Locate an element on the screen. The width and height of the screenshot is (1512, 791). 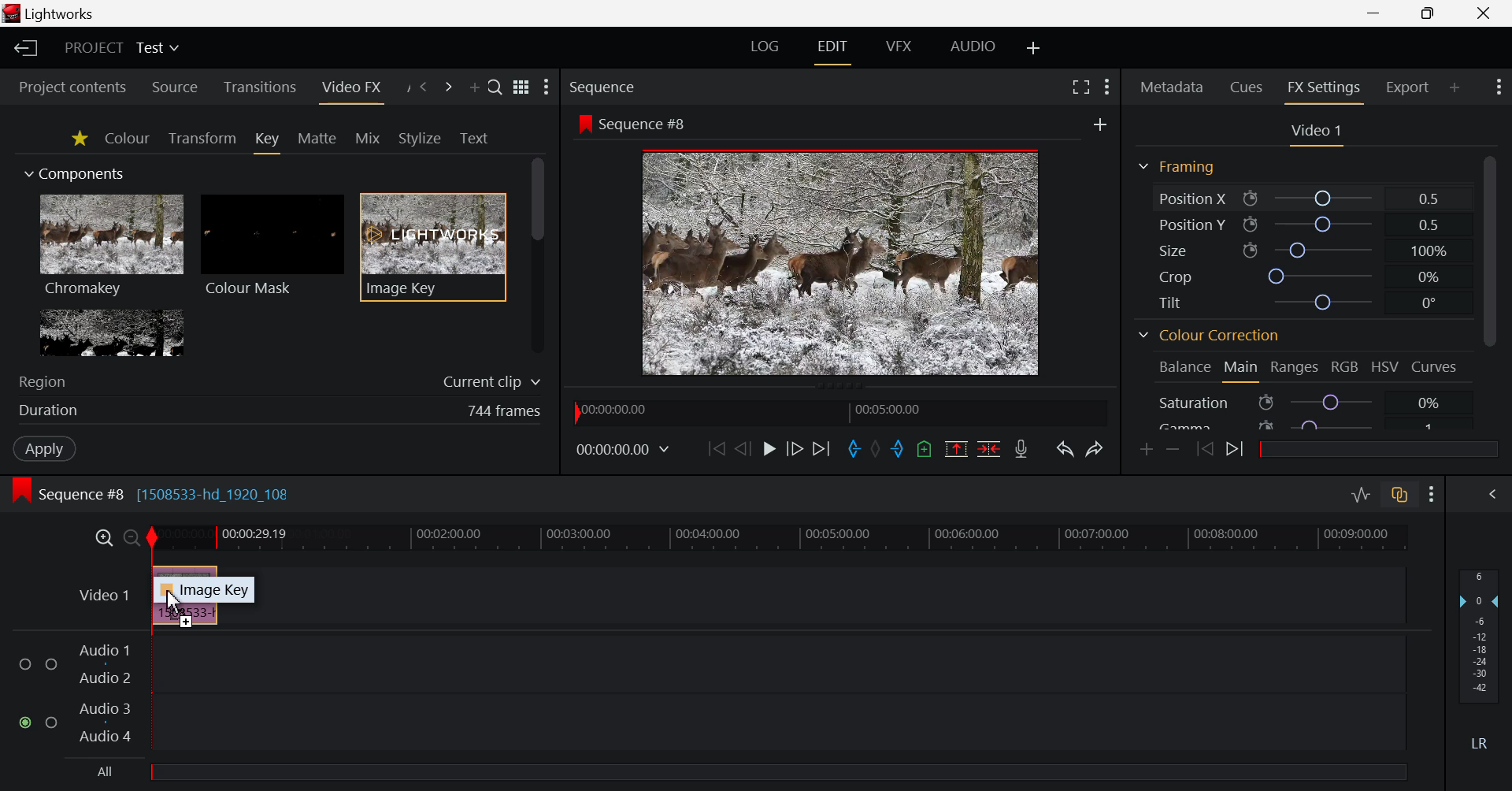
icon is located at coordinates (1252, 200).